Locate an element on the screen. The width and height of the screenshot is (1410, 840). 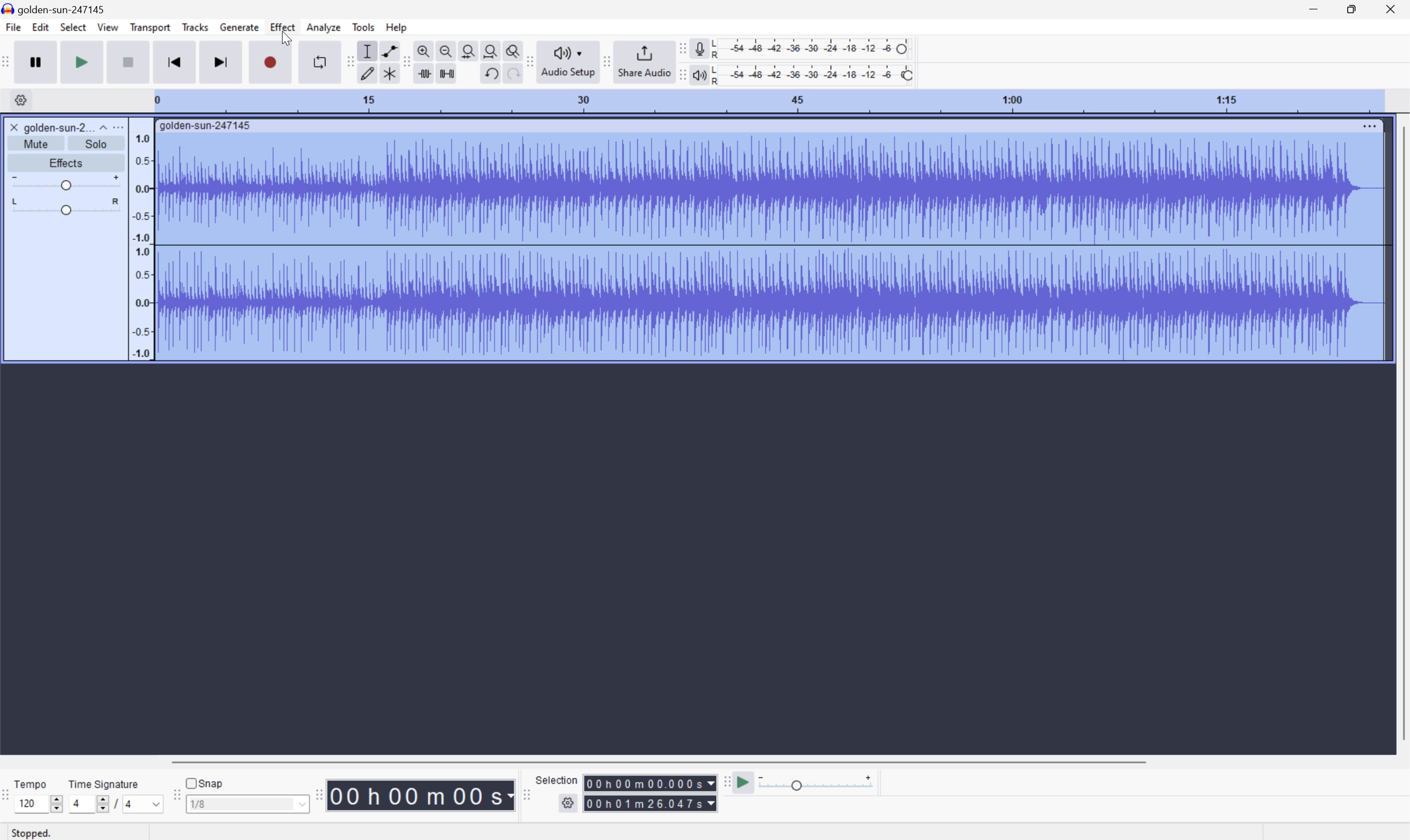
golden-sun-247145 is located at coordinates (57, 8).